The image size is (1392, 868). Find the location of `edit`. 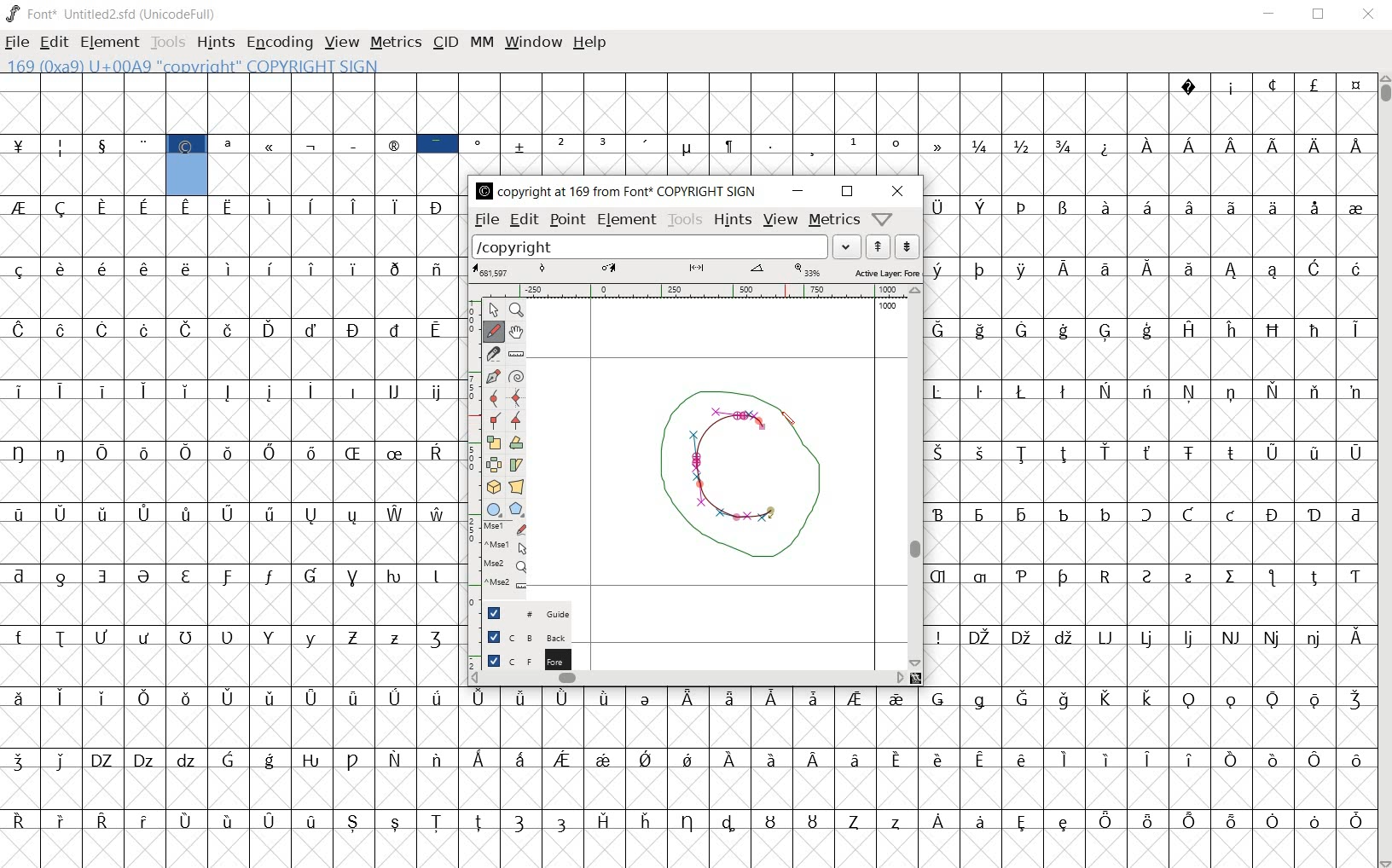

edit is located at coordinates (522, 219).